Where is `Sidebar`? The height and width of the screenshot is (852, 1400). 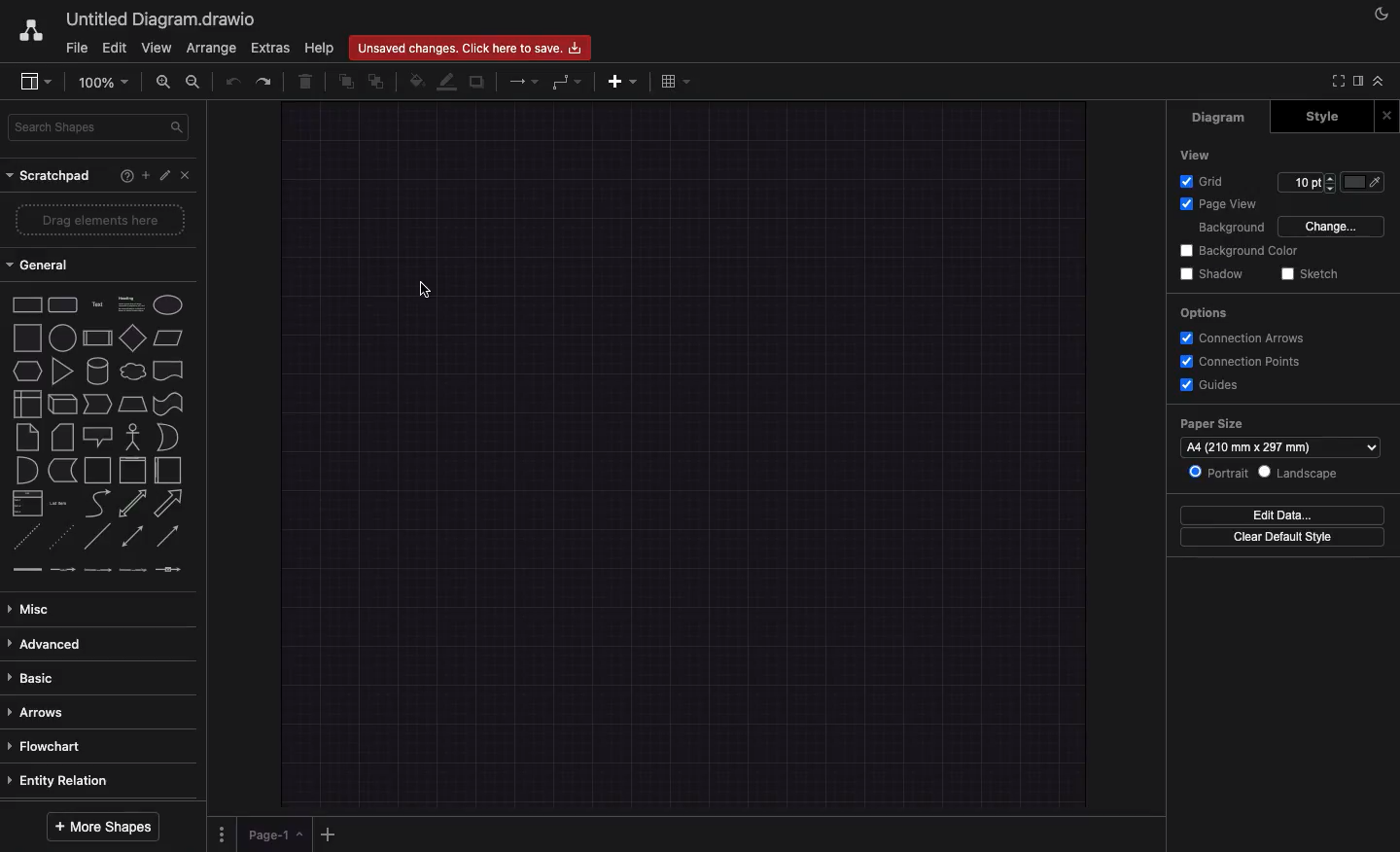
Sidebar is located at coordinates (1361, 83).